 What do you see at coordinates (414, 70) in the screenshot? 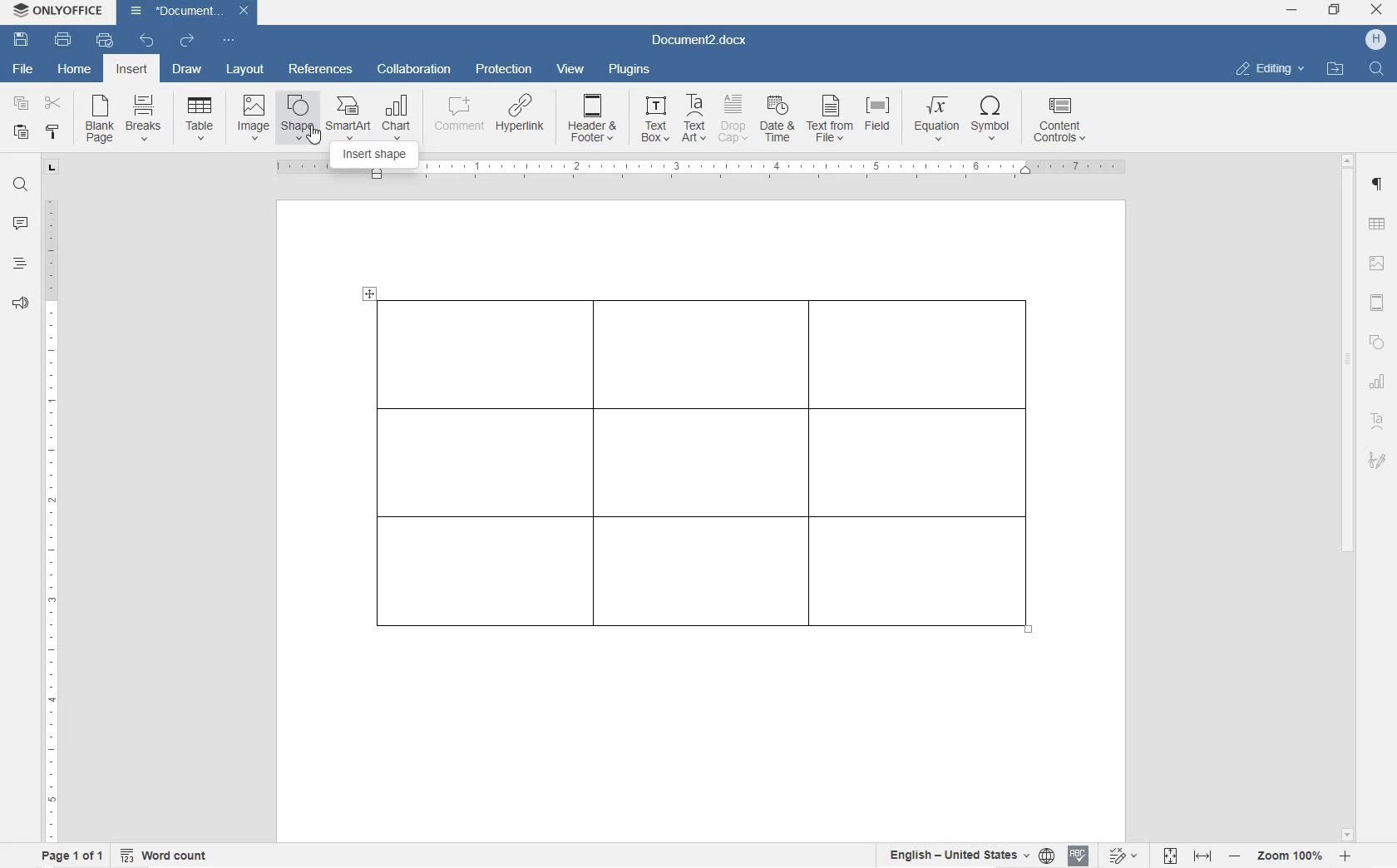
I see `collaboration` at bounding box center [414, 70].